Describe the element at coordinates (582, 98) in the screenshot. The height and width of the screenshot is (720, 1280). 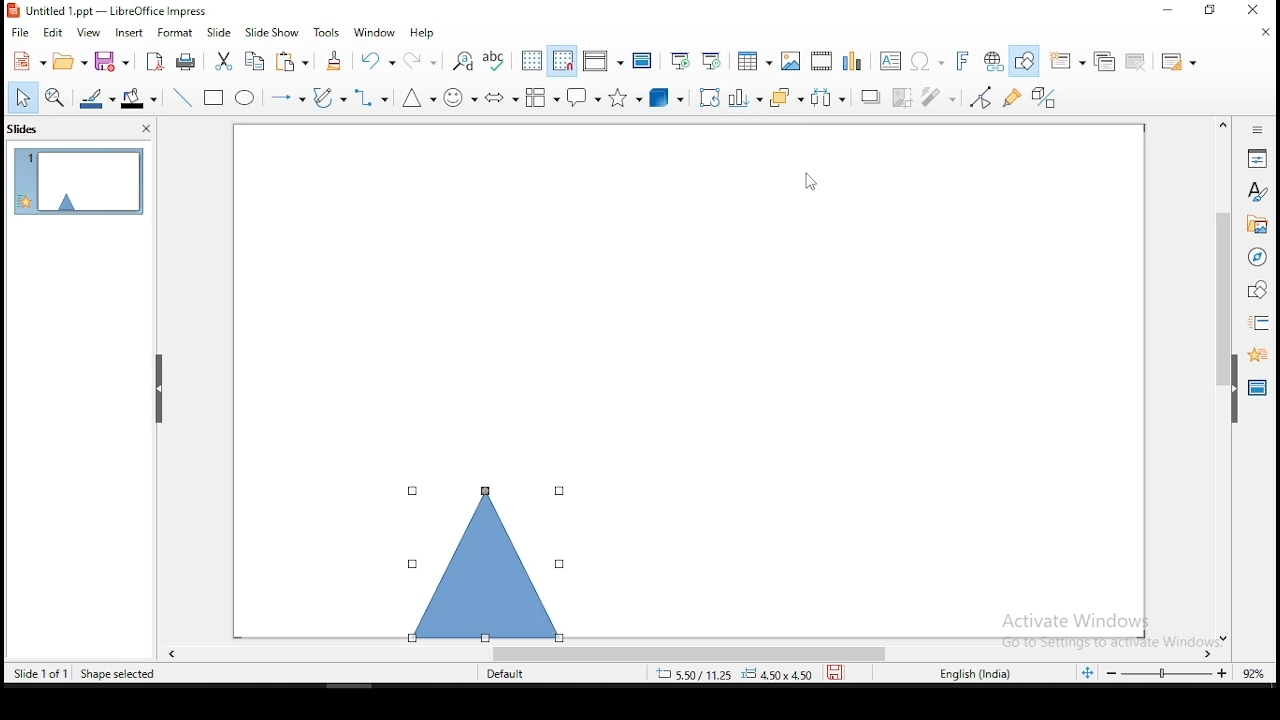
I see `callout shapes` at that location.